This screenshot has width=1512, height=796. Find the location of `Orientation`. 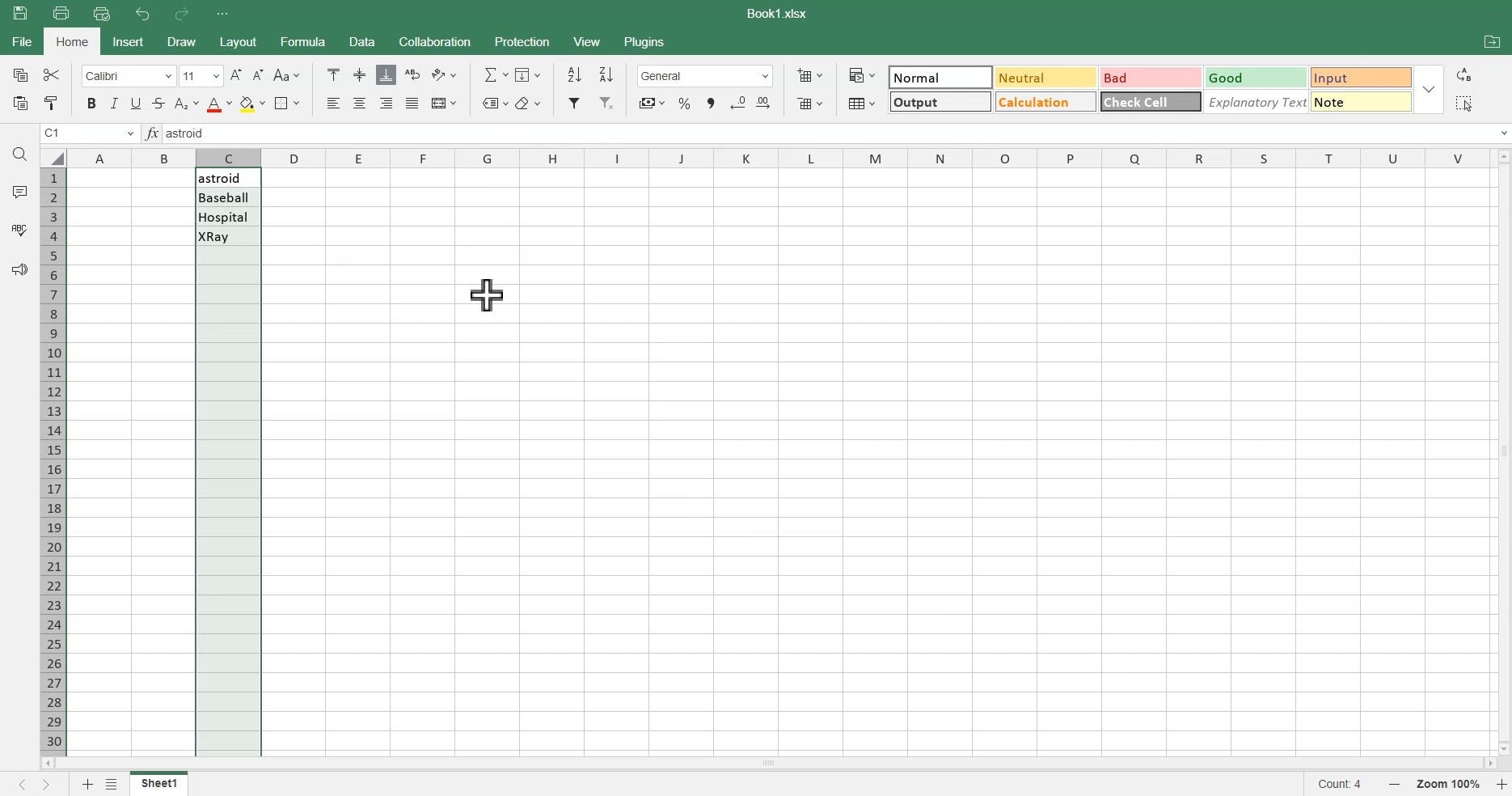

Orientation is located at coordinates (444, 74).